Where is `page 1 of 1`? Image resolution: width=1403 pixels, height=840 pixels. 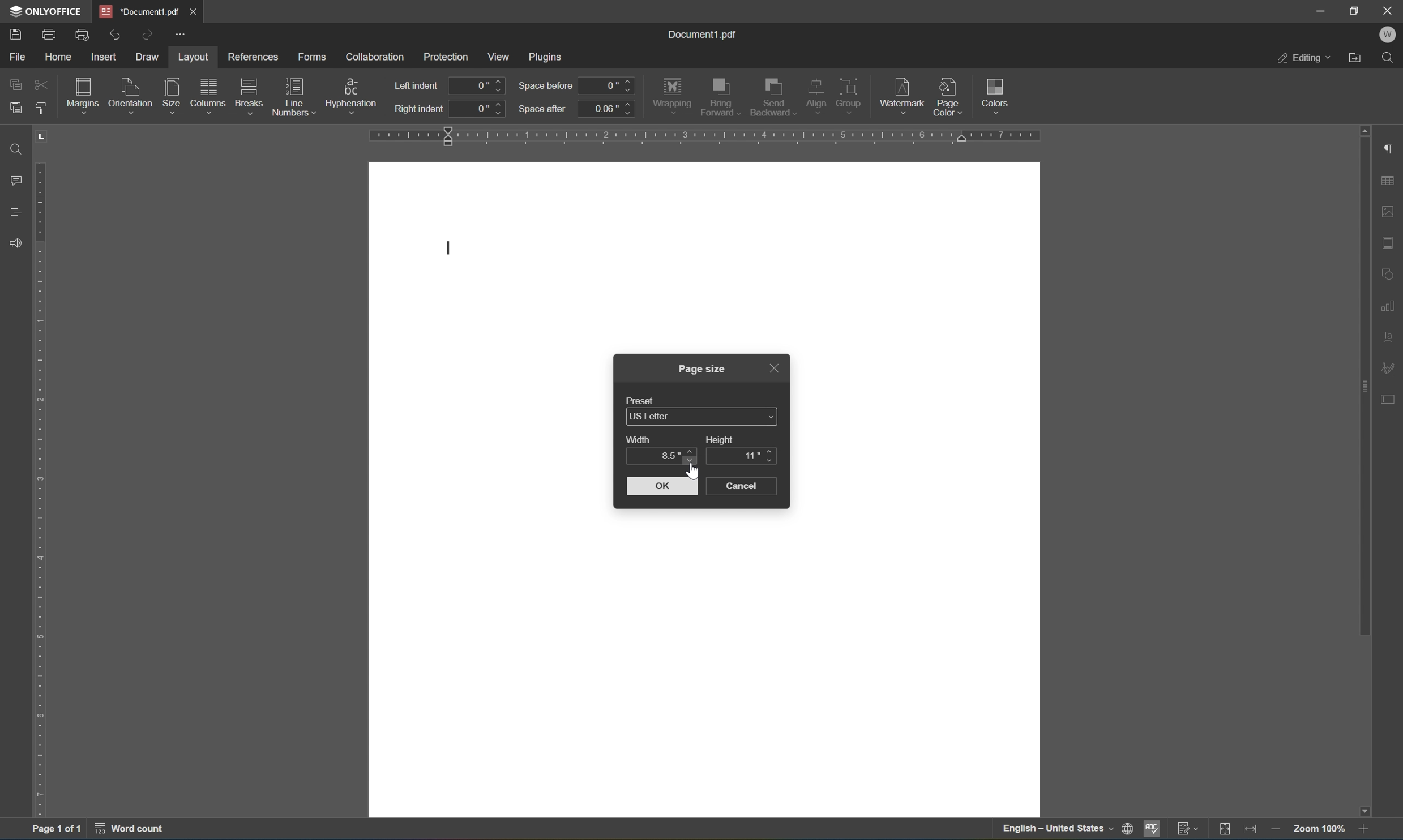
page 1 of 1 is located at coordinates (58, 831).